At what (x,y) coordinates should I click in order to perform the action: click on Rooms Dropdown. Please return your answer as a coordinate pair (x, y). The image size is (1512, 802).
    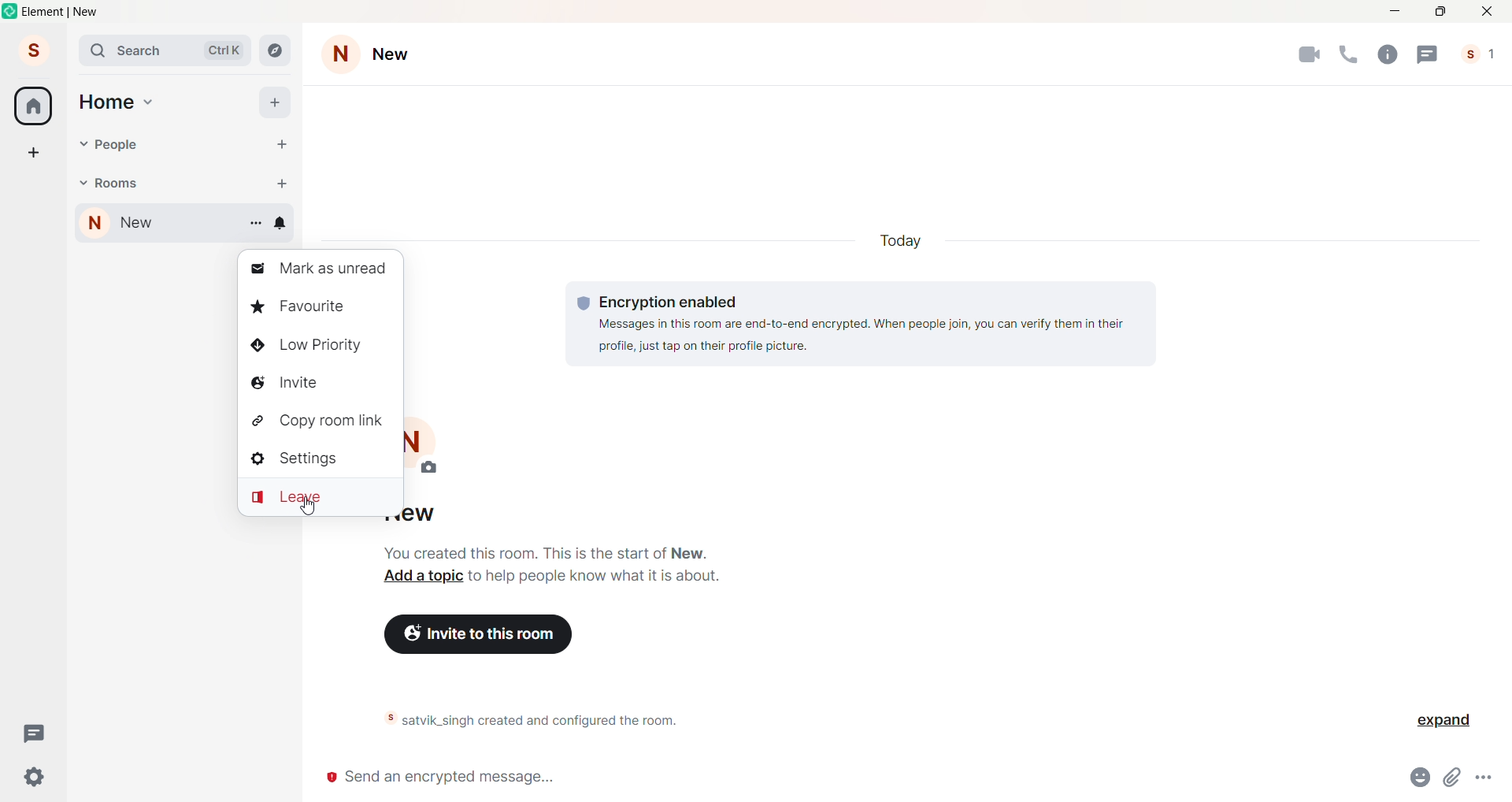
    Looking at the image, I should click on (82, 180).